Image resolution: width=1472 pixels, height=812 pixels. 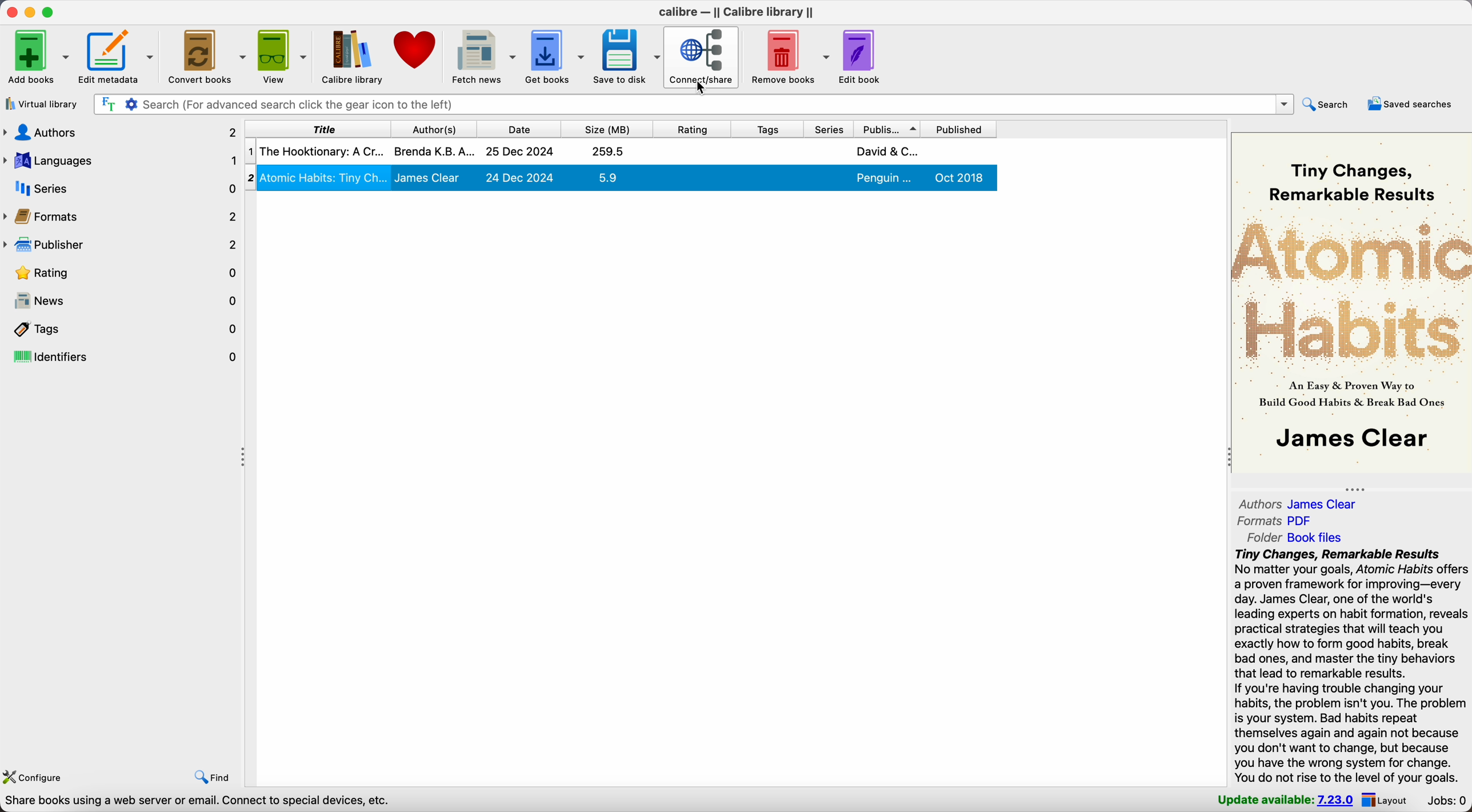 I want to click on published, so click(x=963, y=128).